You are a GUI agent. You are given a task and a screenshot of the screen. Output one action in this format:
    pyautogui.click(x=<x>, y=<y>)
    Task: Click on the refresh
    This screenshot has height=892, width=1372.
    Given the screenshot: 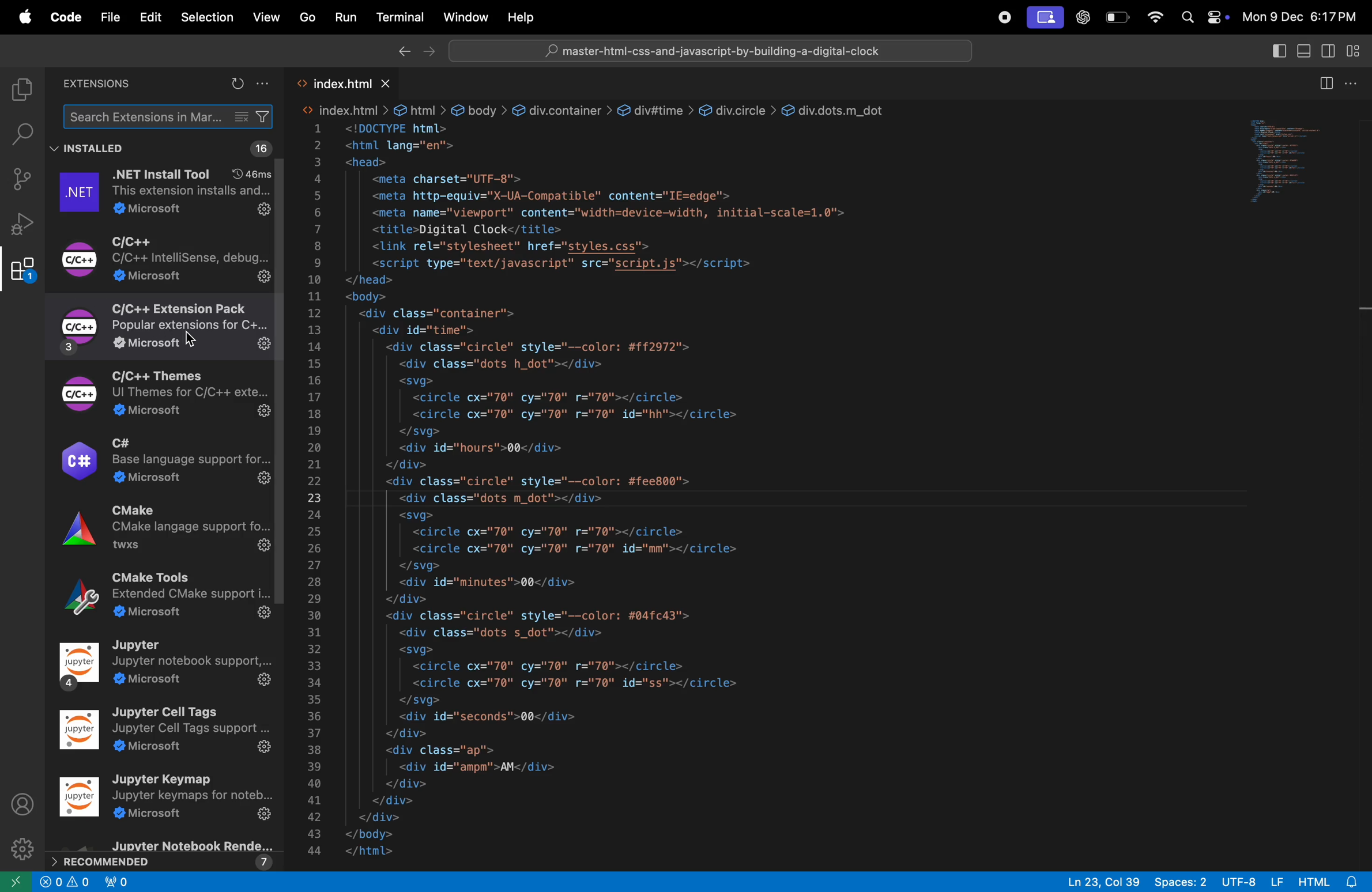 What is the action you would take?
    pyautogui.click(x=237, y=84)
    